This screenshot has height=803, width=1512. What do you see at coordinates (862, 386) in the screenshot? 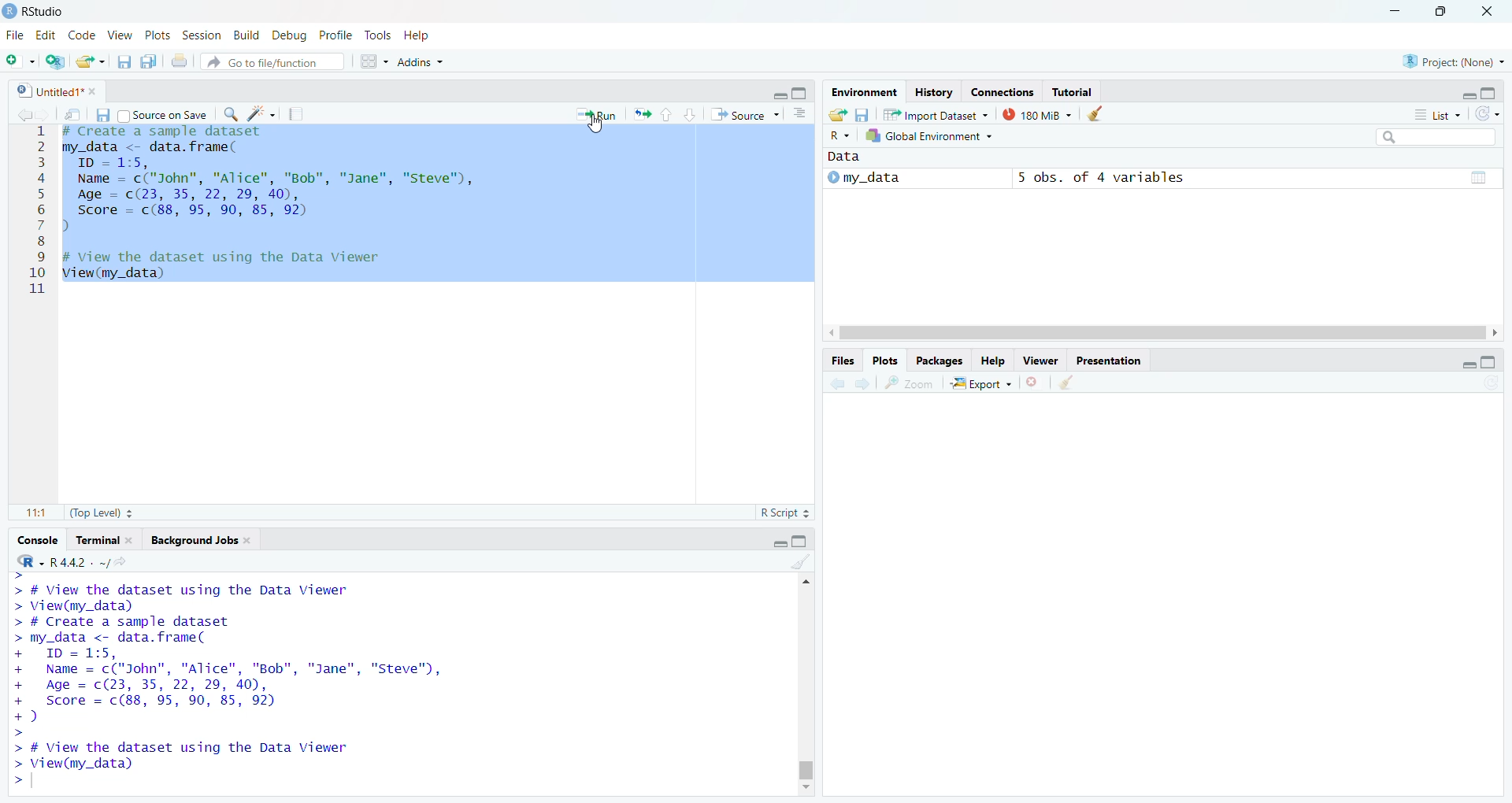
I see `Forward` at bounding box center [862, 386].